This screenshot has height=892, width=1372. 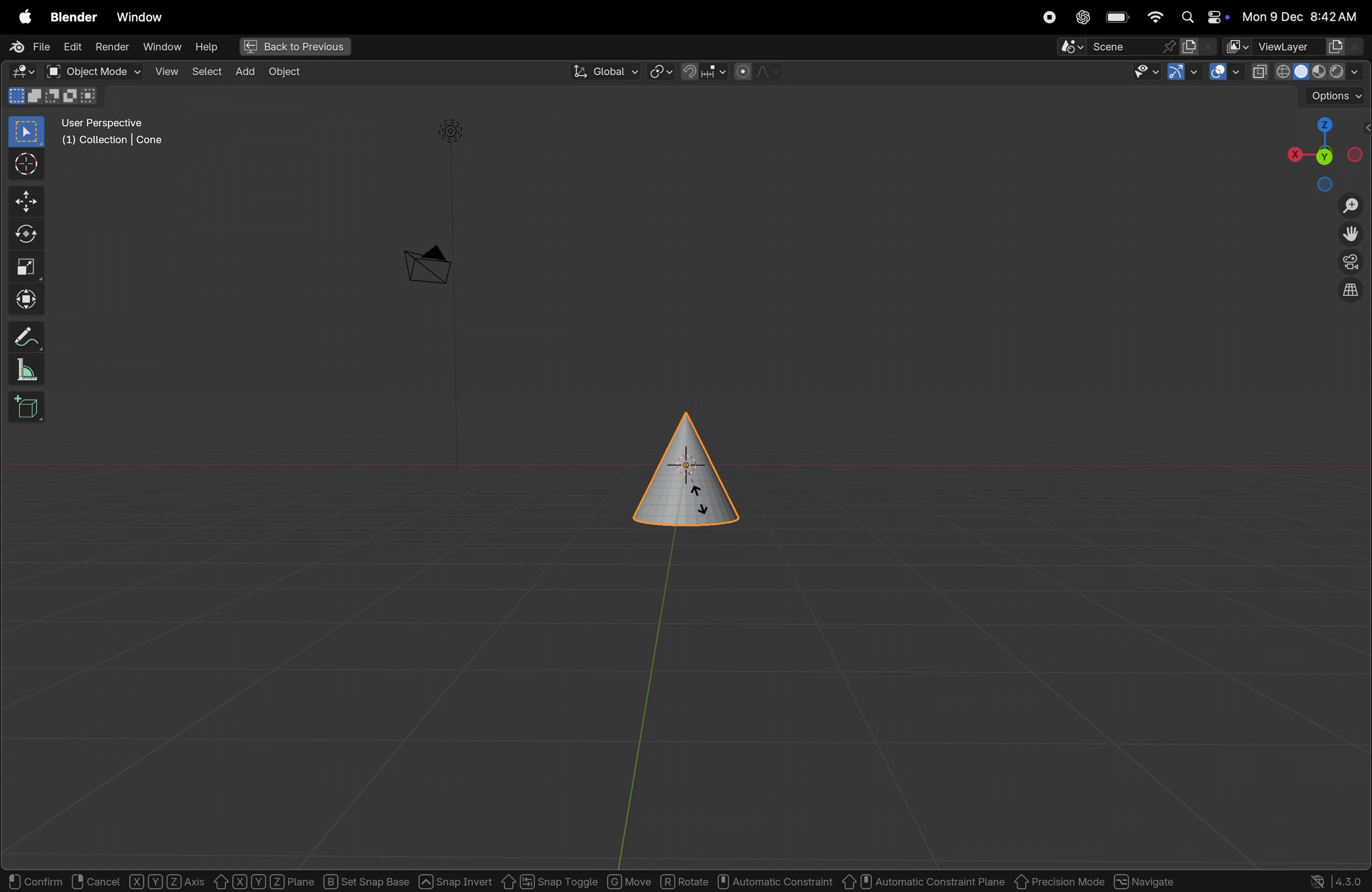 I want to click on snap toggle, so click(x=549, y=879).